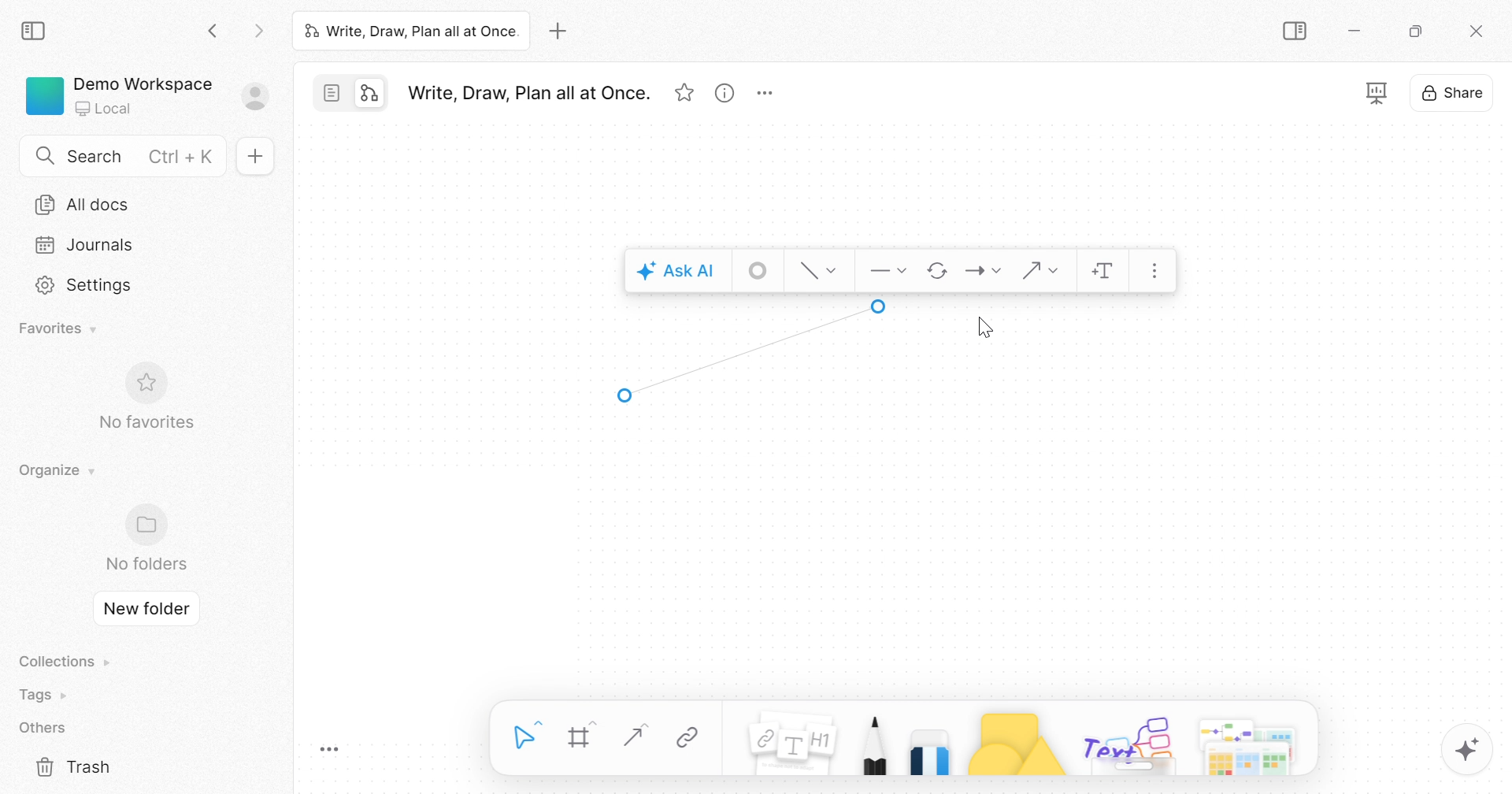 This screenshot has height=794, width=1512. What do you see at coordinates (685, 94) in the screenshot?
I see `Favorites` at bounding box center [685, 94].